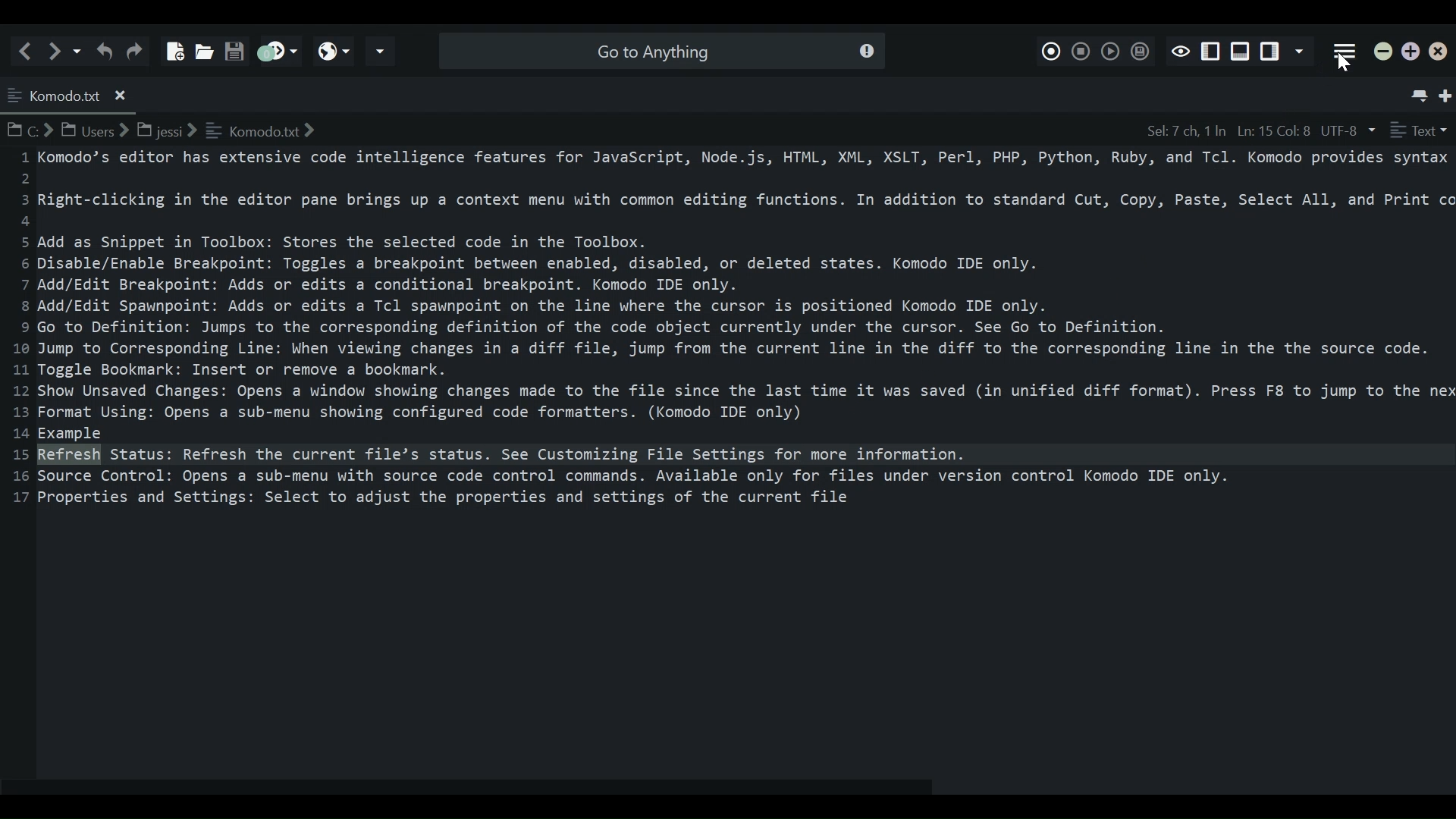 The width and height of the screenshot is (1456, 819). I want to click on Horizontal Scroll bar, so click(477, 788).